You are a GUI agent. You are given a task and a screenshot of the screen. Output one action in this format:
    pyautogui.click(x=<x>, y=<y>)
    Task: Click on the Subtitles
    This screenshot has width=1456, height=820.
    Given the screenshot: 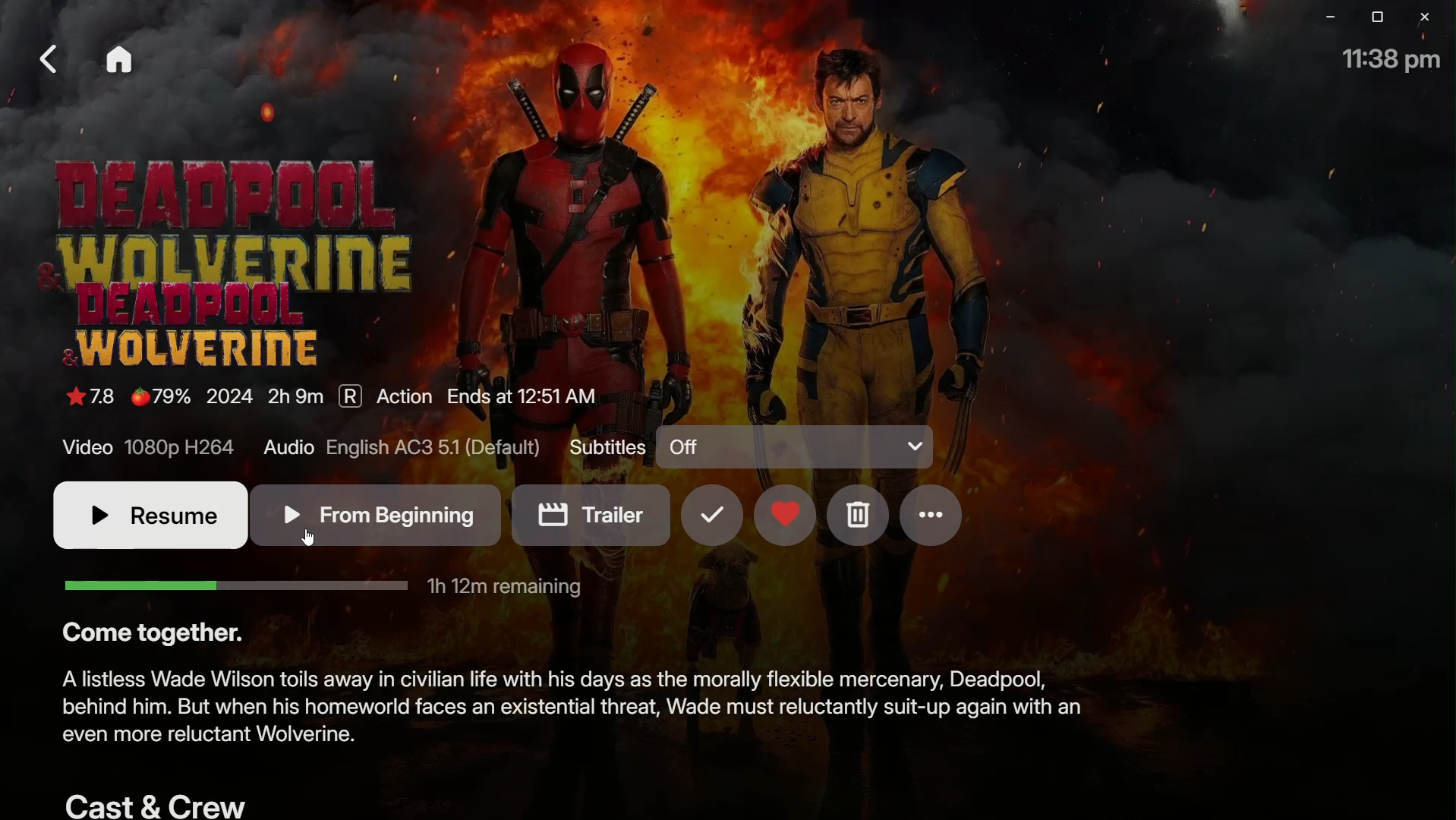 What is the action you would take?
    pyautogui.click(x=607, y=449)
    